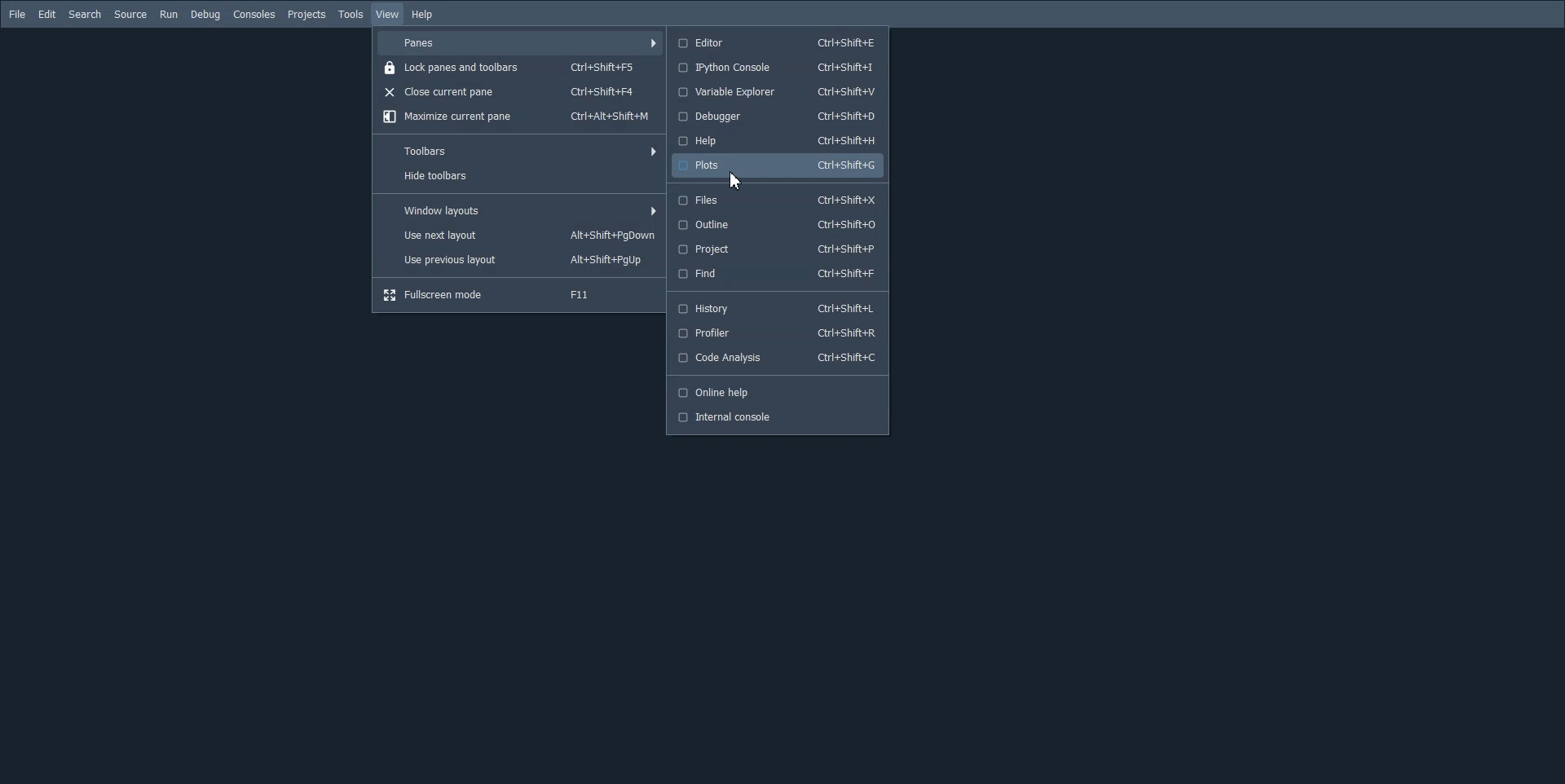 The width and height of the screenshot is (1565, 784). What do you see at coordinates (778, 41) in the screenshot?
I see `Editor` at bounding box center [778, 41].